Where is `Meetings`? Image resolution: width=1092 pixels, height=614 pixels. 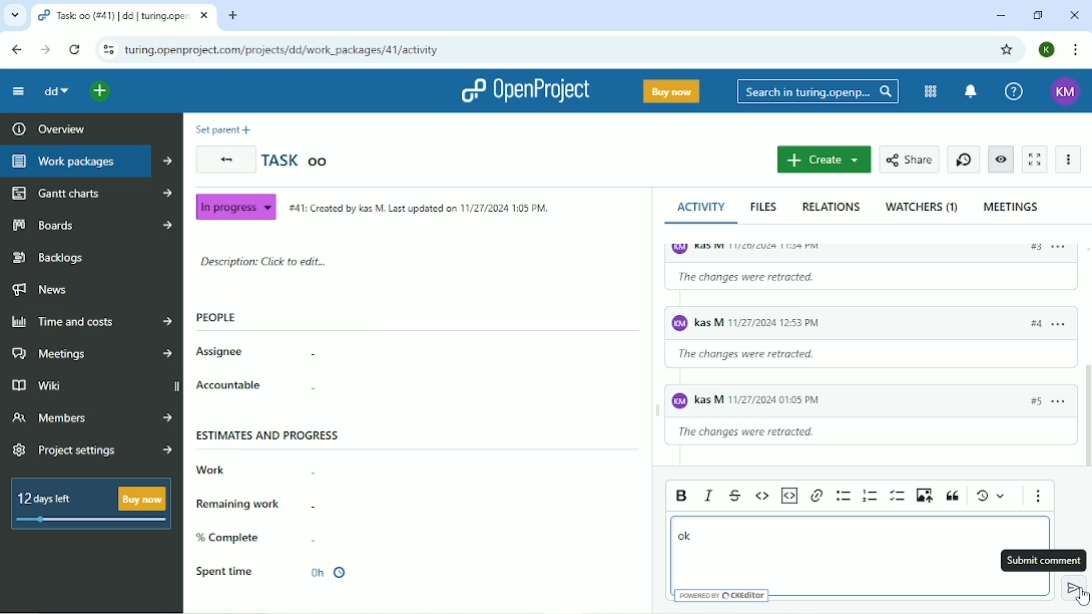 Meetings is located at coordinates (1012, 206).